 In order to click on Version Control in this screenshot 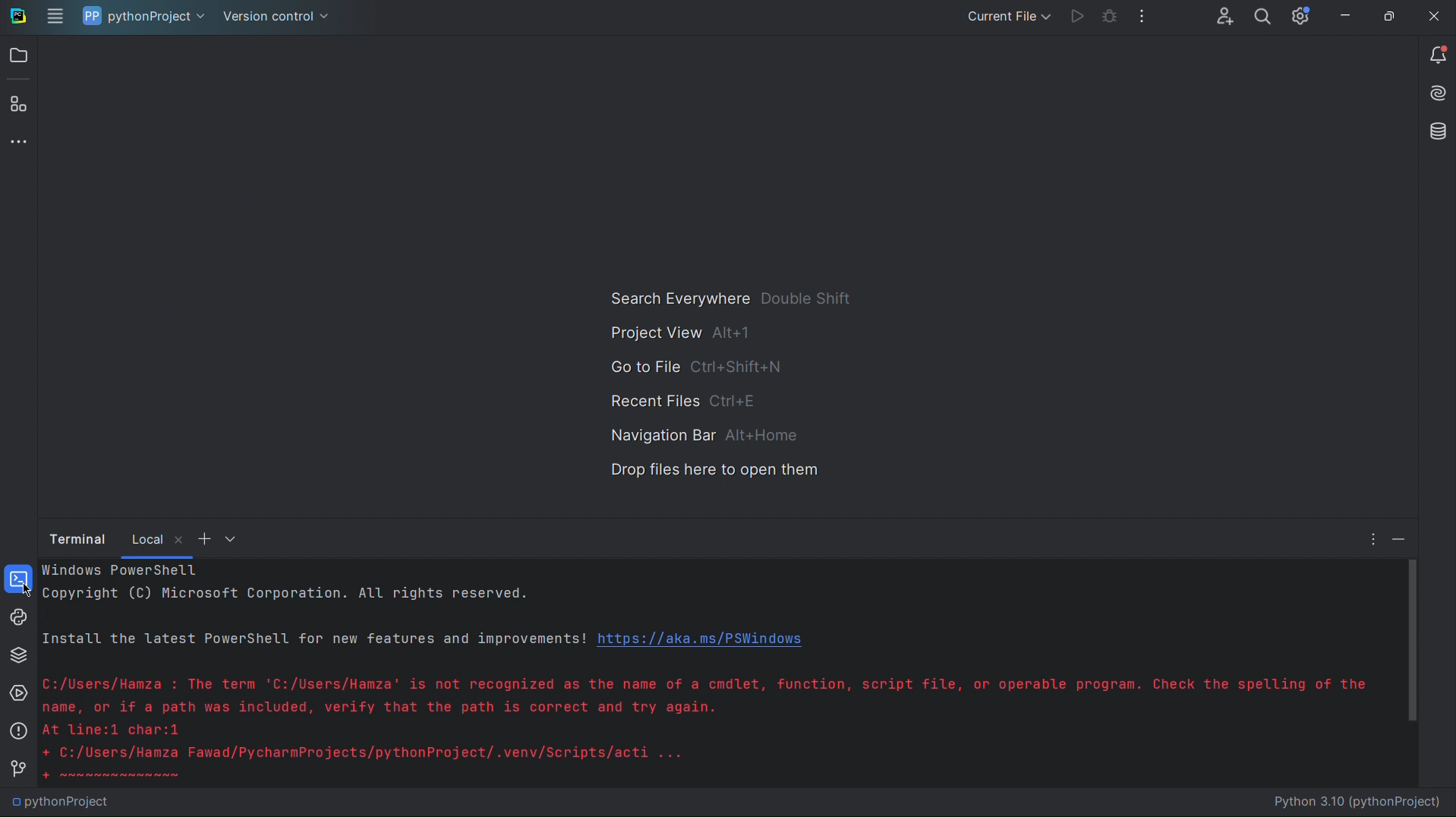, I will do `click(20, 771)`.